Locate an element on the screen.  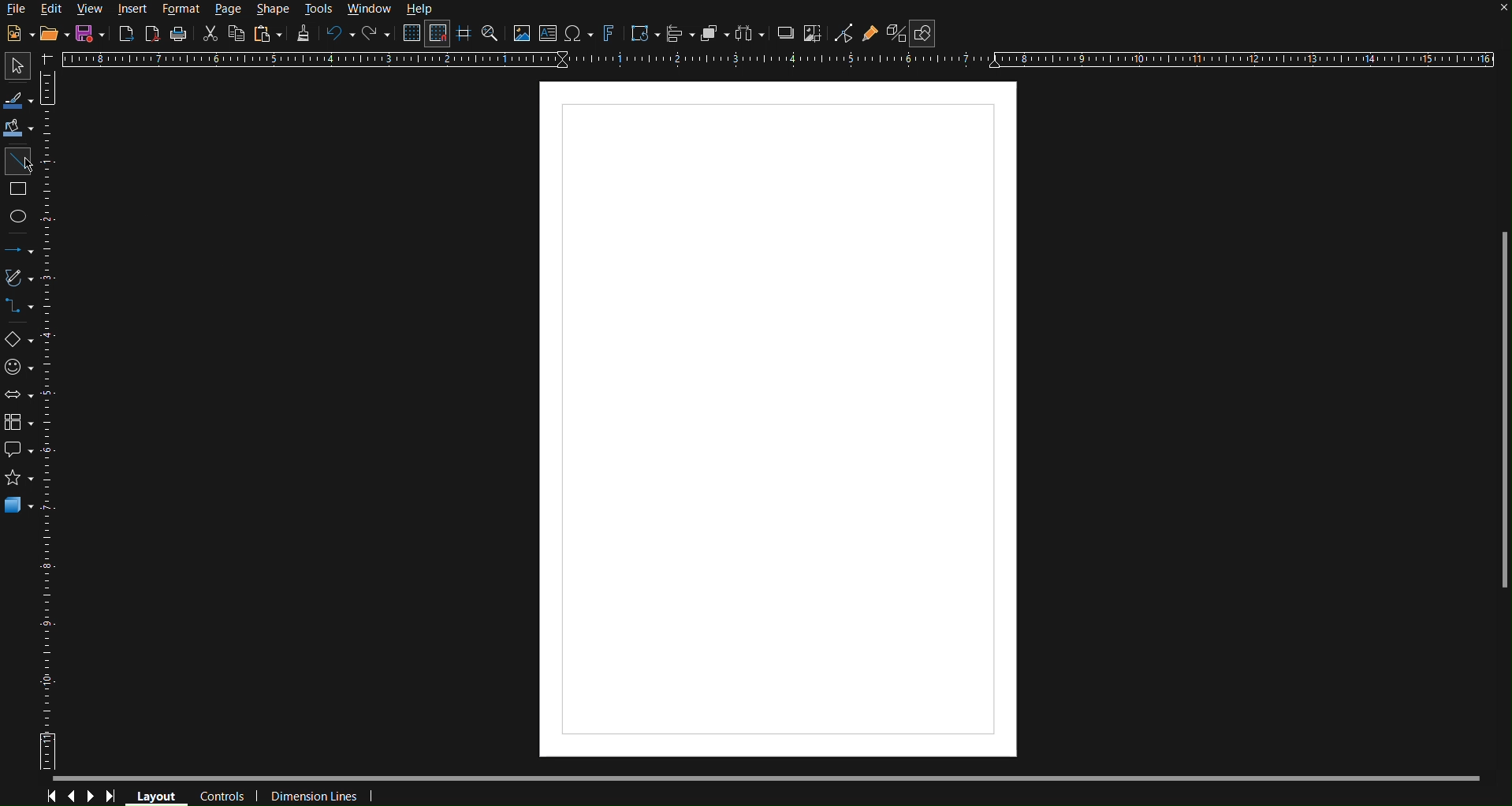
Crop Image is located at coordinates (815, 32).